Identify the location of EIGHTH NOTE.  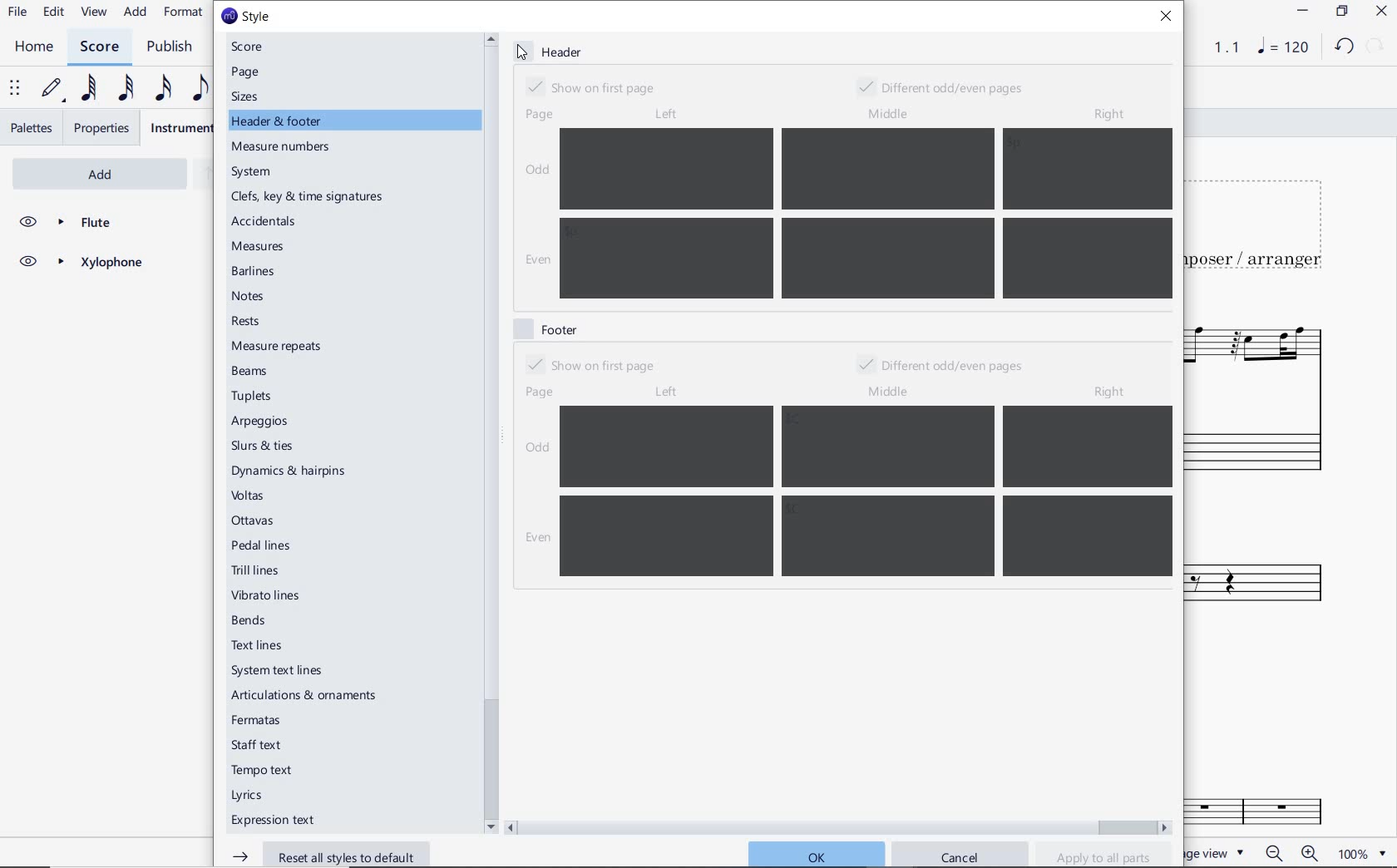
(200, 87).